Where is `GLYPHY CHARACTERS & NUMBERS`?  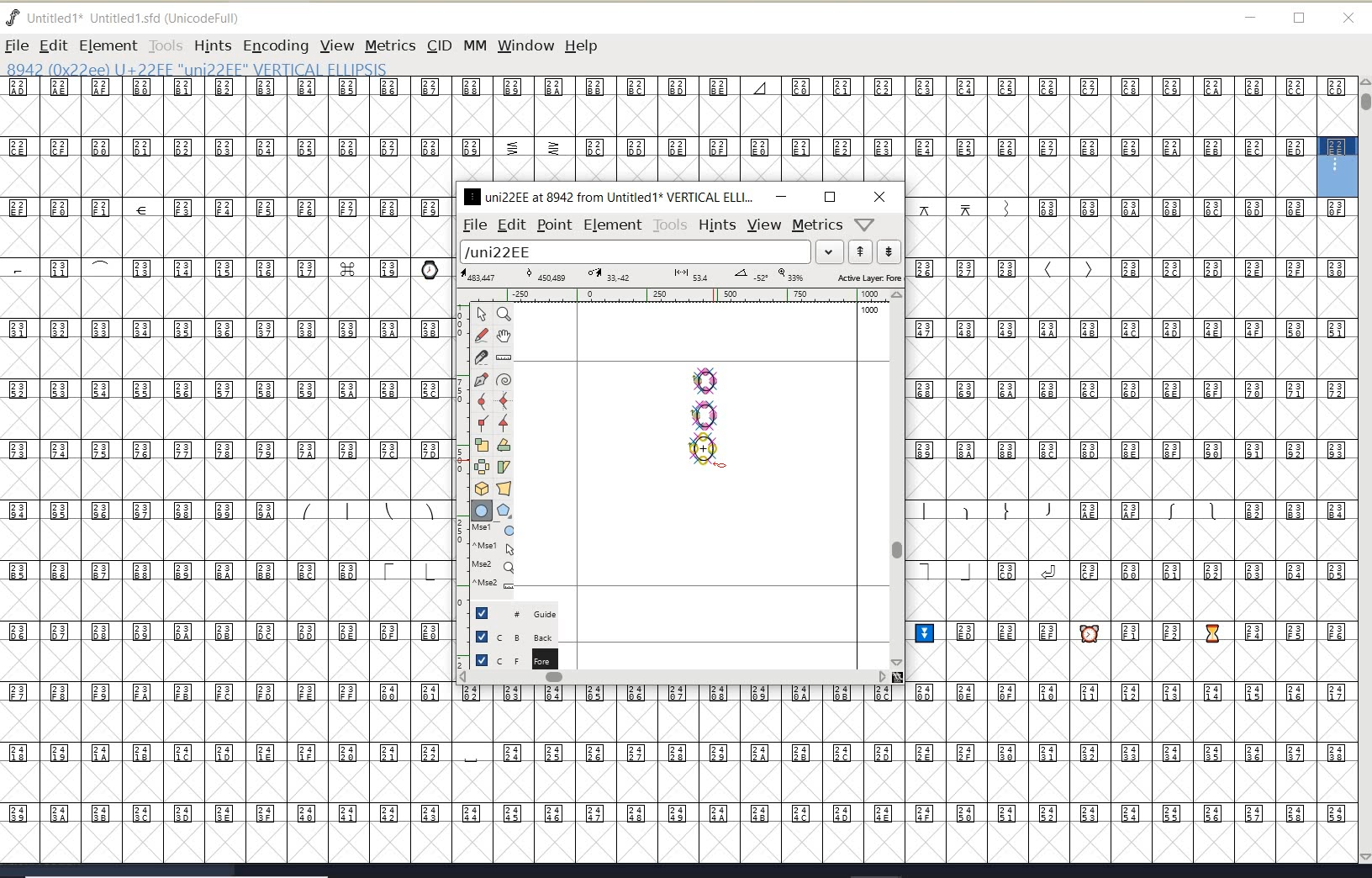
GLYPHY CHARACTERS & NUMBERS is located at coordinates (657, 130).